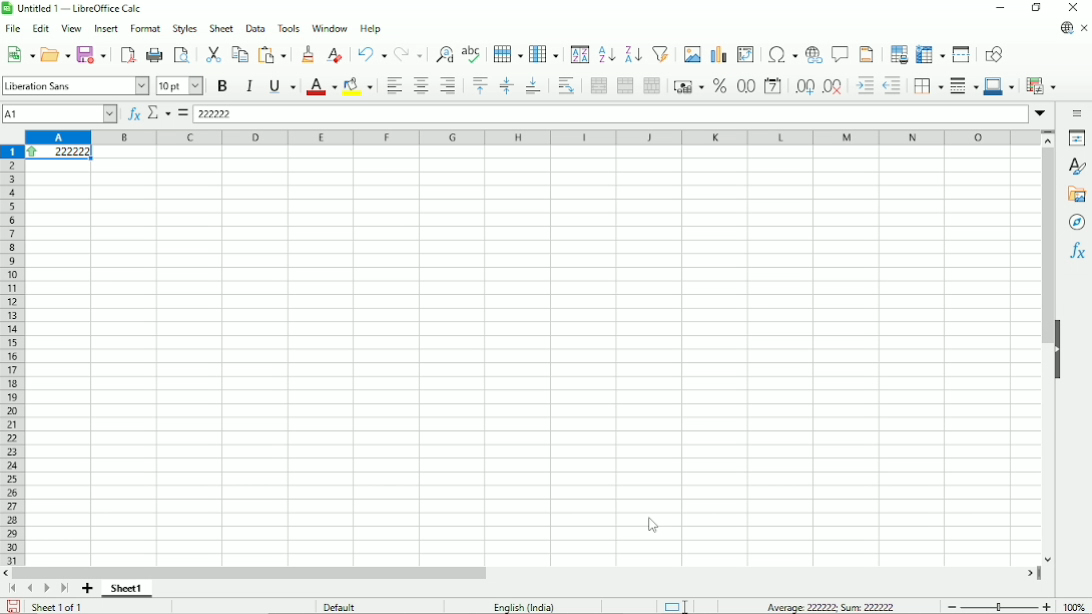 Image resolution: width=1092 pixels, height=614 pixels. Describe the element at coordinates (688, 86) in the screenshot. I see `Format as currency` at that location.